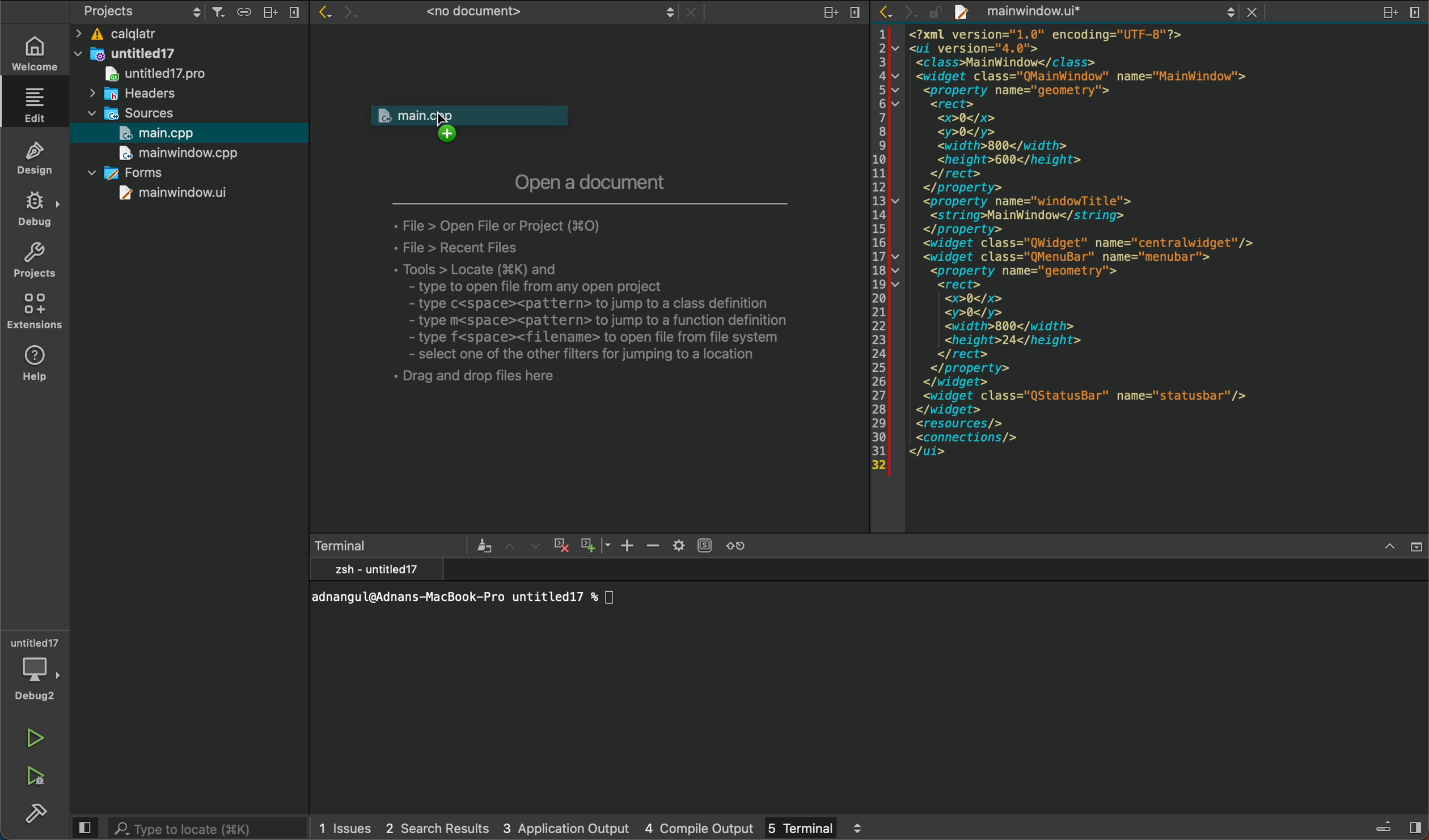 This screenshot has height=840, width=1429. I want to click on untitled17, so click(147, 74).